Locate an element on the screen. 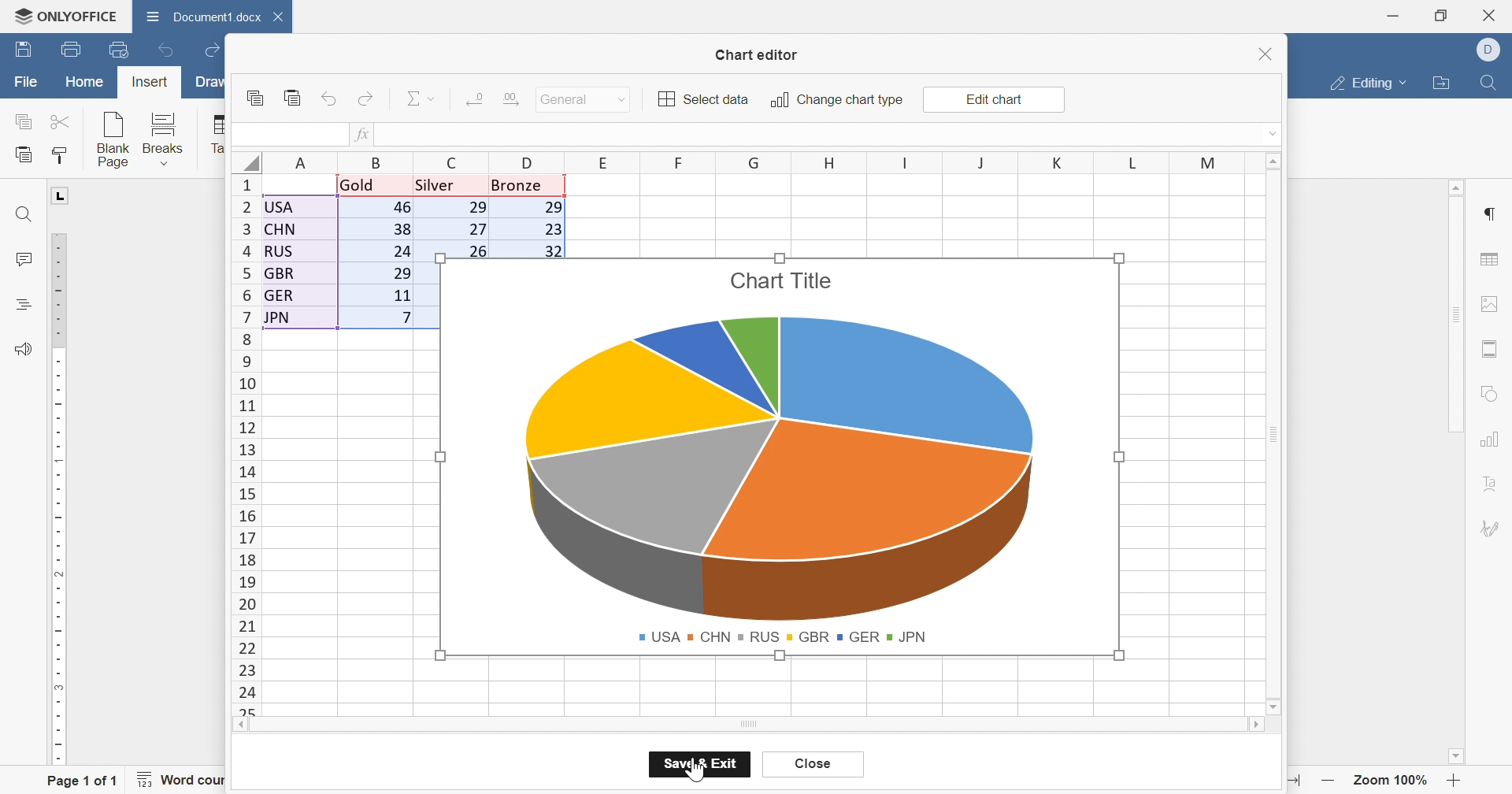  Edit Chart is located at coordinates (997, 97).